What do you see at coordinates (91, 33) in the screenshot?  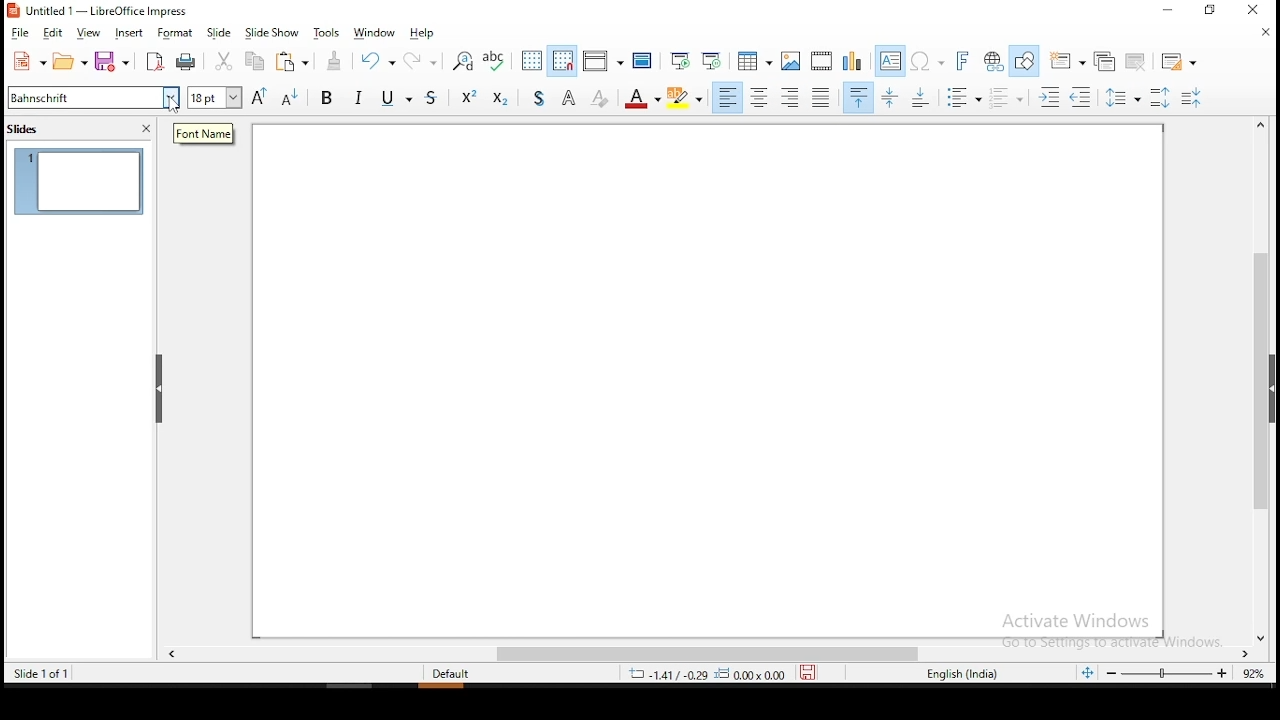 I see `view` at bounding box center [91, 33].